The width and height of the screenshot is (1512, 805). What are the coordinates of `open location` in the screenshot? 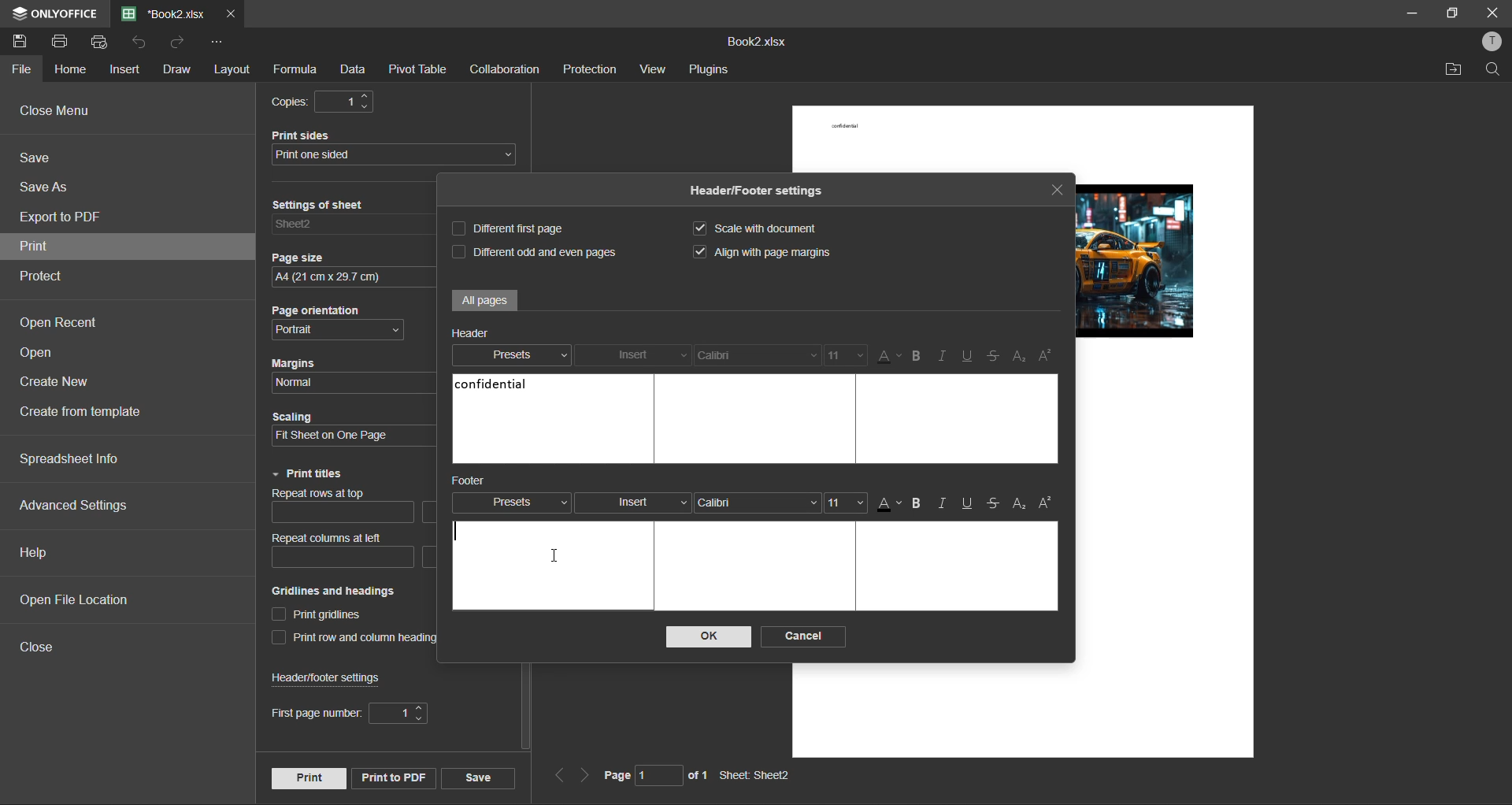 It's located at (1451, 69).